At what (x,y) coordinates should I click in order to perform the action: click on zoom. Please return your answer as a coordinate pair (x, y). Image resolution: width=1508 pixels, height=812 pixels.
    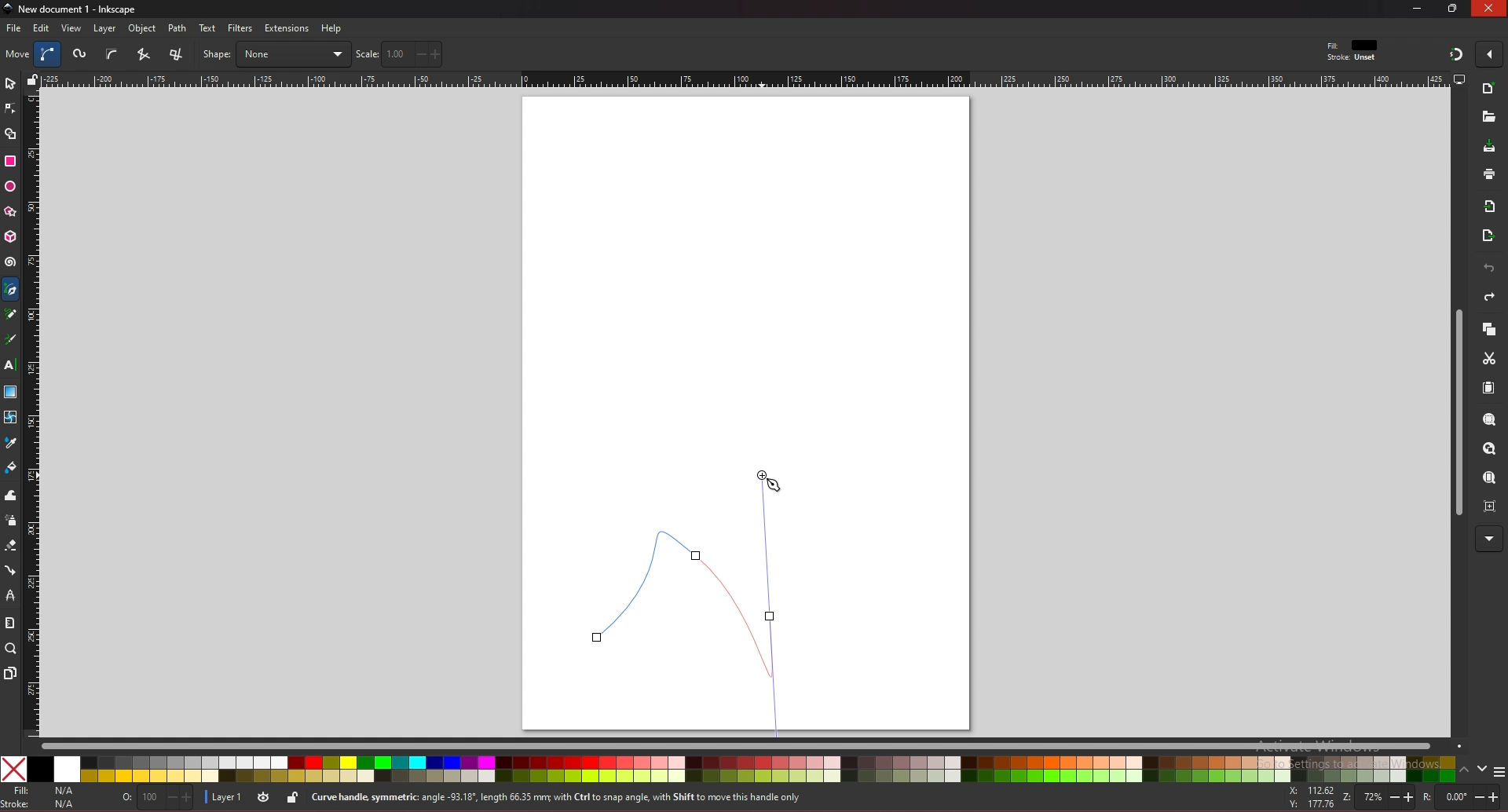
    Looking at the image, I should click on (11, 648).